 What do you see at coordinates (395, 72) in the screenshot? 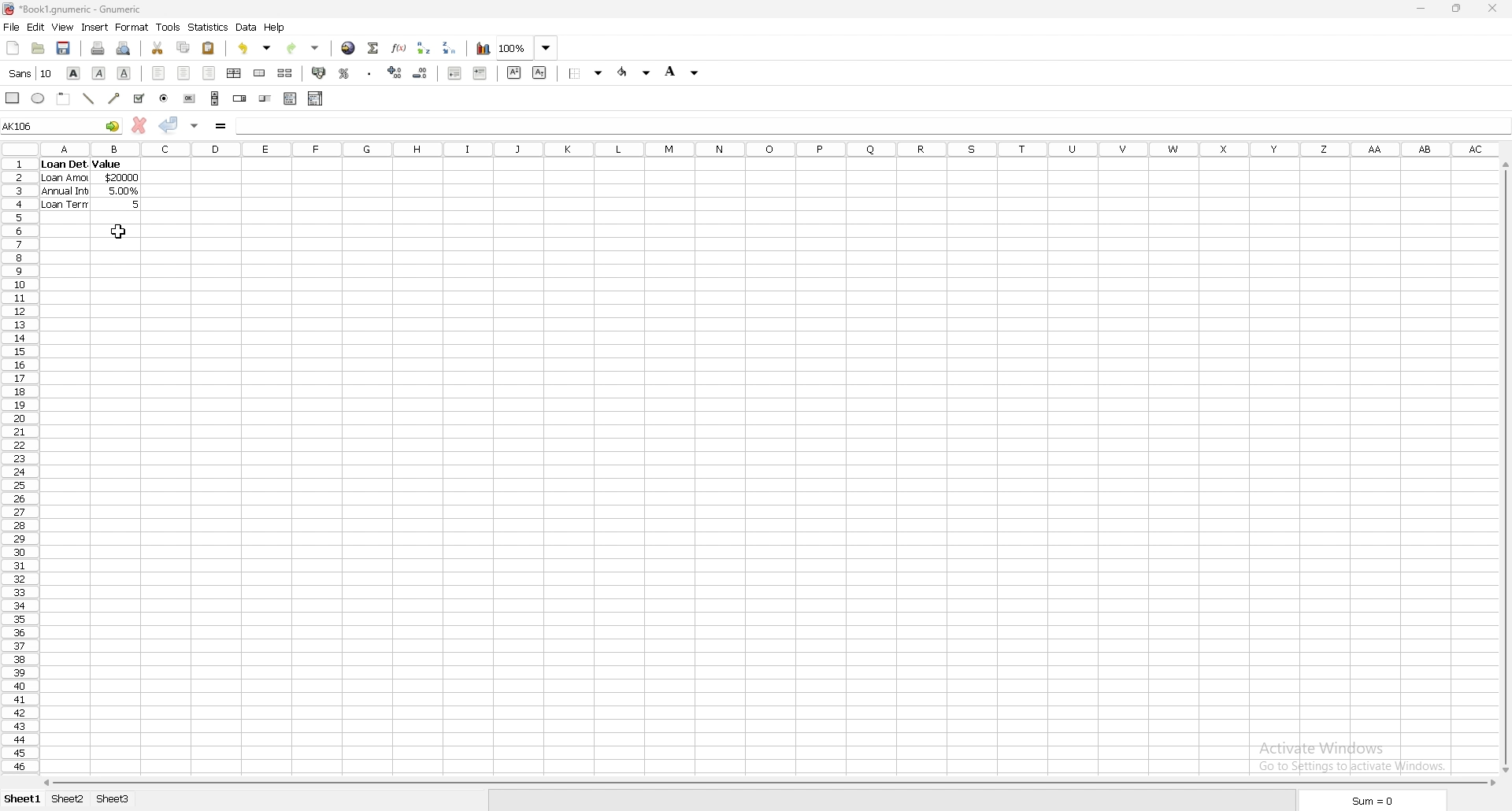
I see `increase decimals` at bounding box center [395, 72].